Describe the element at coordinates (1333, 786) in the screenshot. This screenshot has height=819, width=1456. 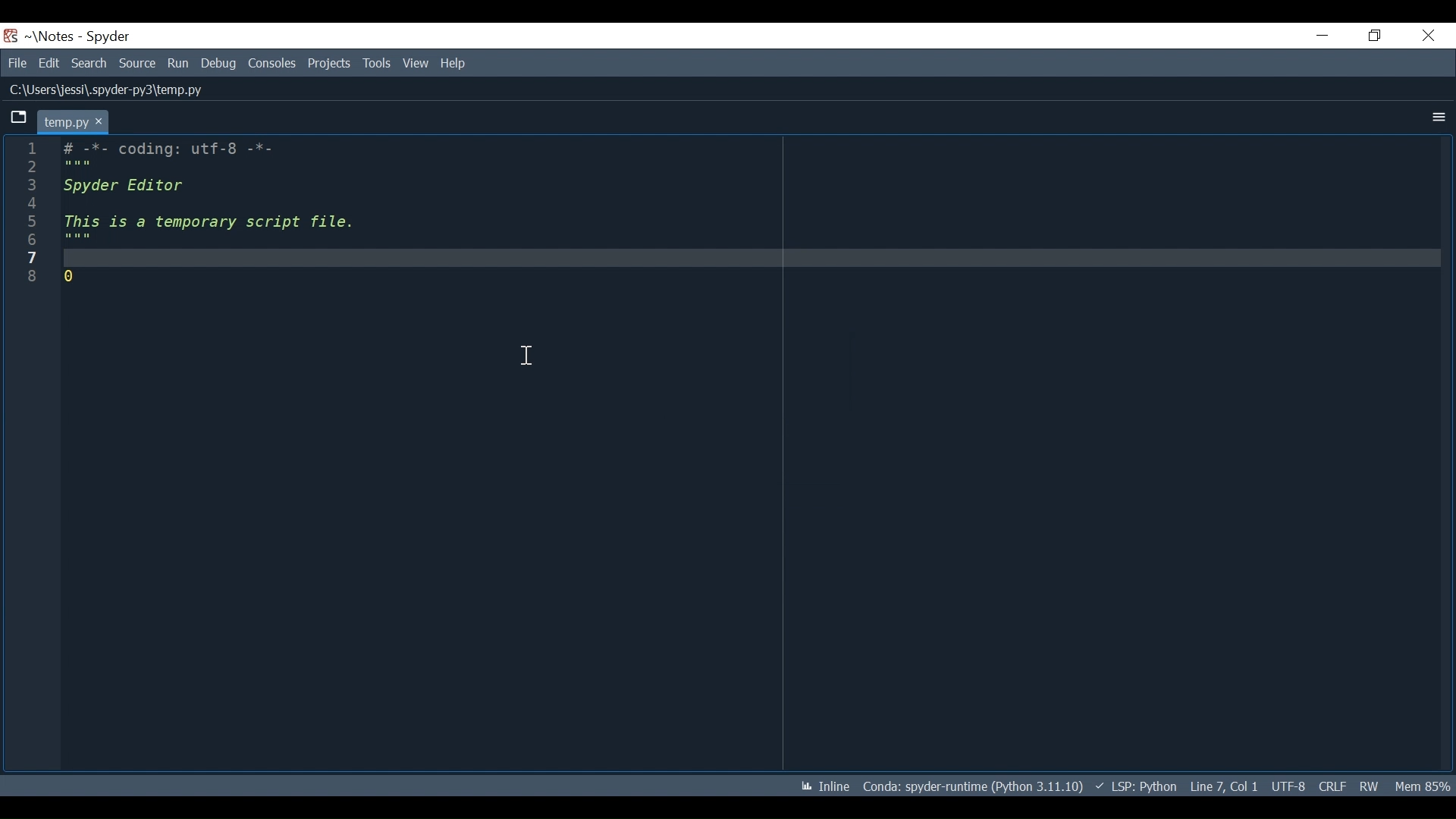
I see `CRLF` at that location.